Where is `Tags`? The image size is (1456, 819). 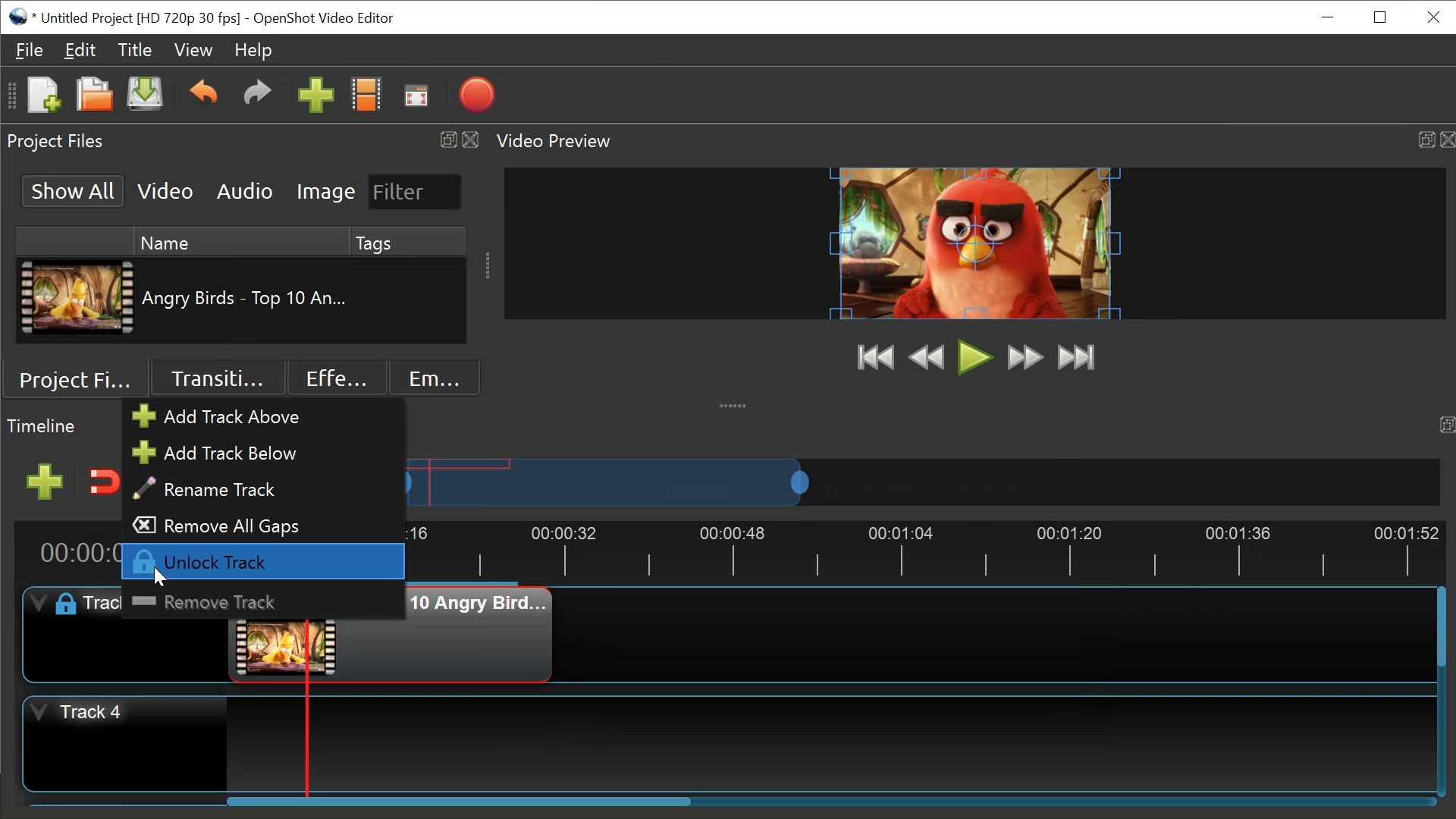 Tags is located at coordinates (409, 242).